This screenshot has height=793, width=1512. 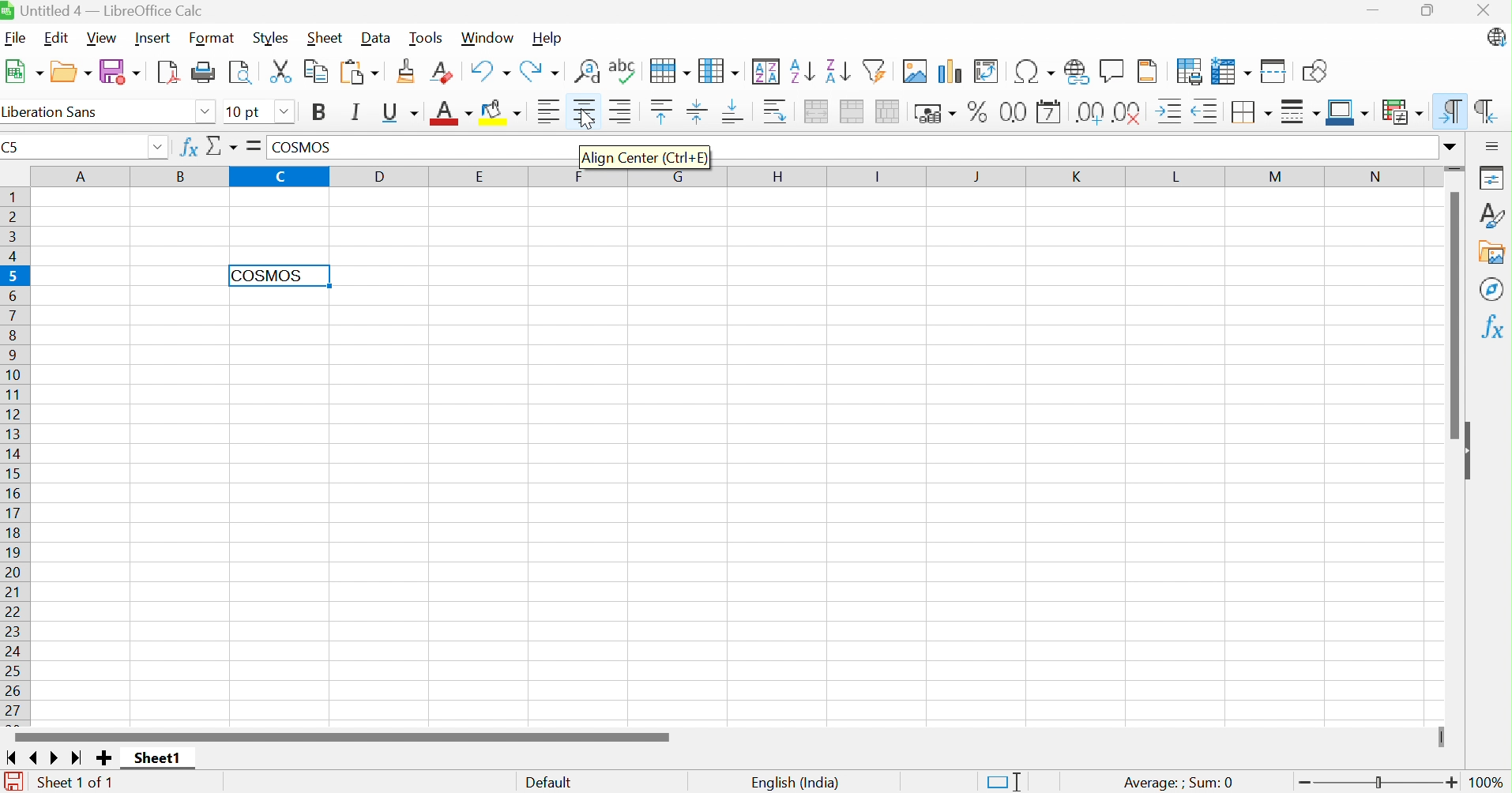 What do you see at coordinates (1495, 254) in the screenshot?
I see `Gallery` at bounding box center [1495, 254].